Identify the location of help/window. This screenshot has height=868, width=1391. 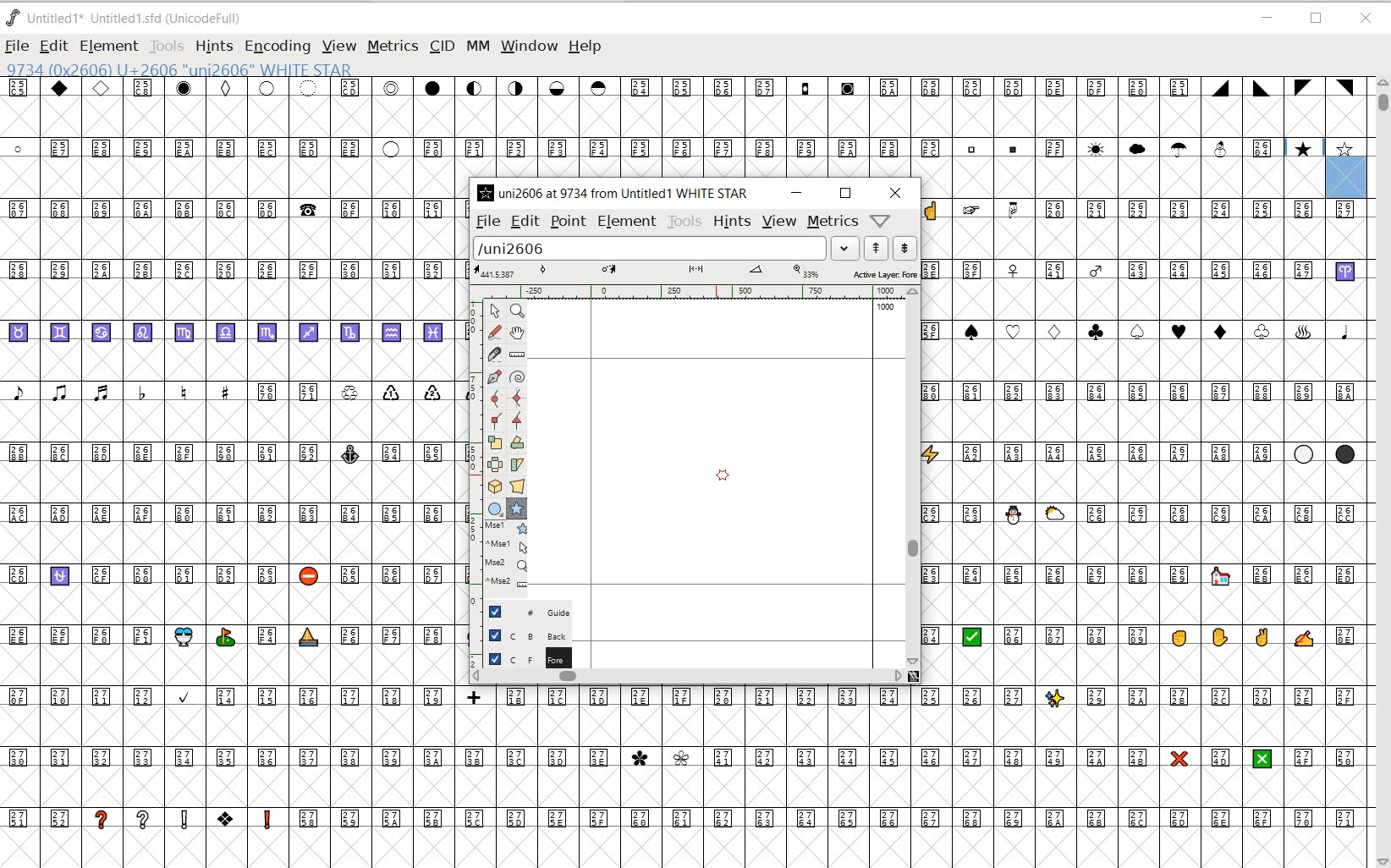
(880, 220).